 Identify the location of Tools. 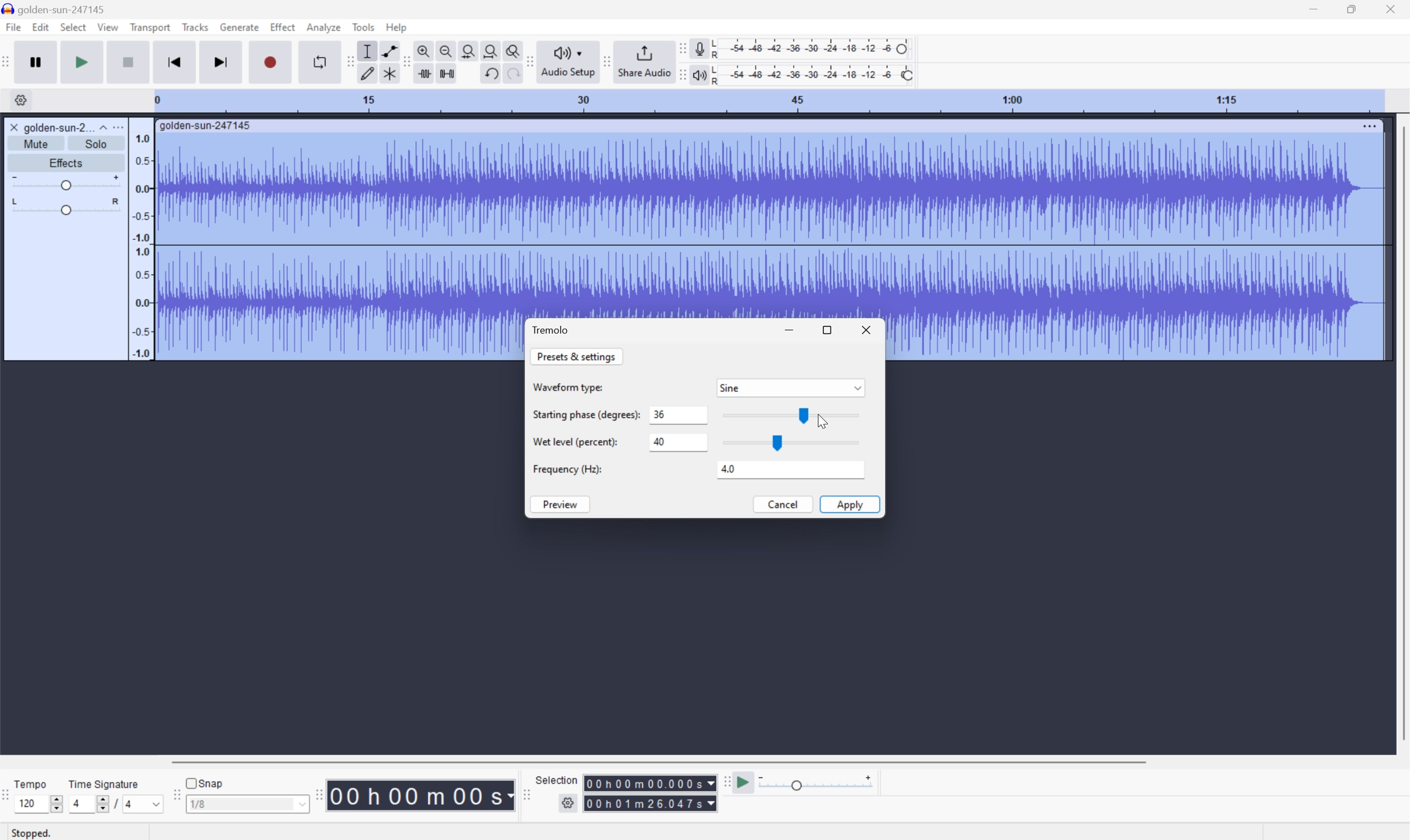
(363, 25).